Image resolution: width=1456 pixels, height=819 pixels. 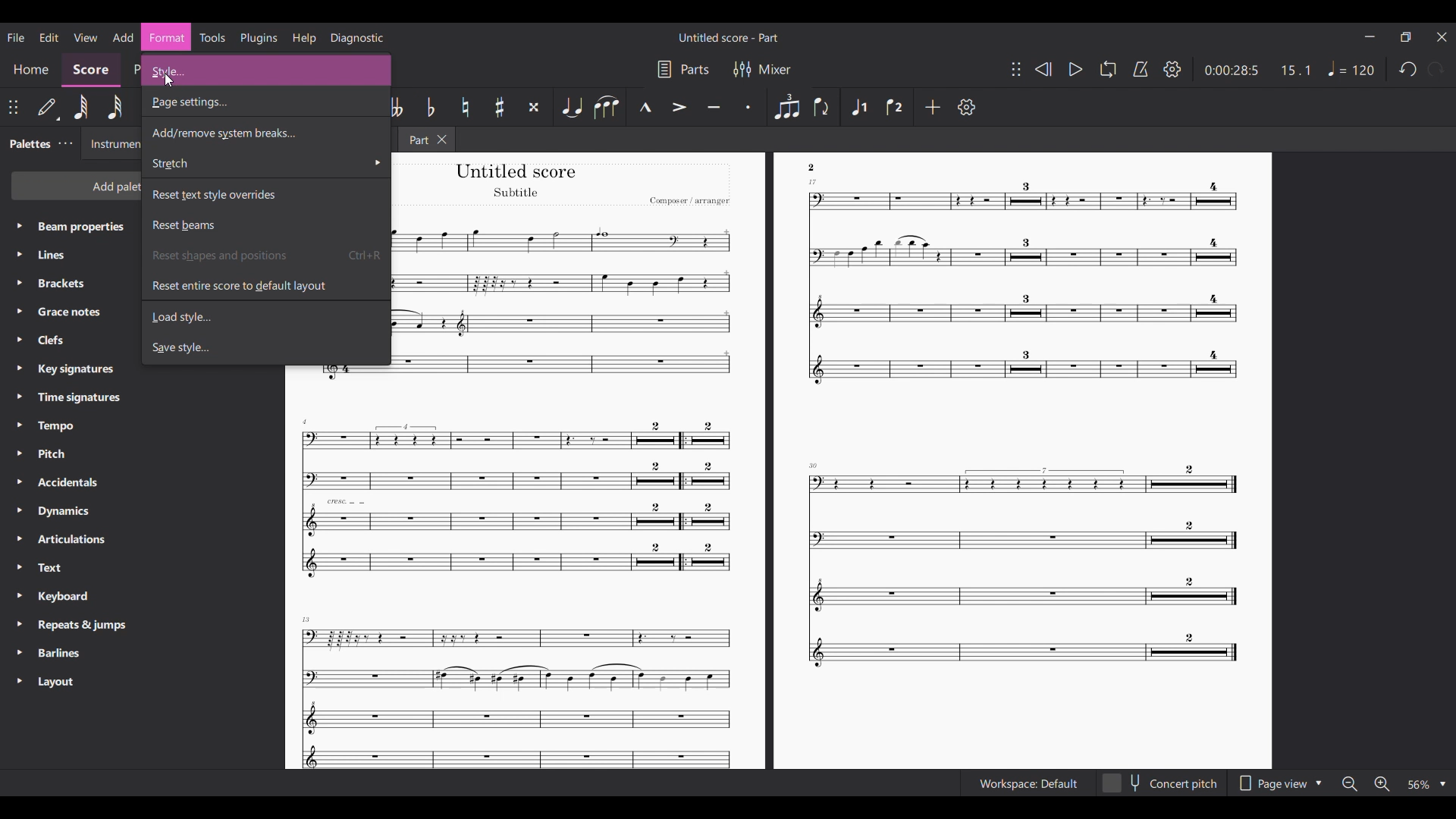 I want to click on 32nd note, so click(x=116, y=108).